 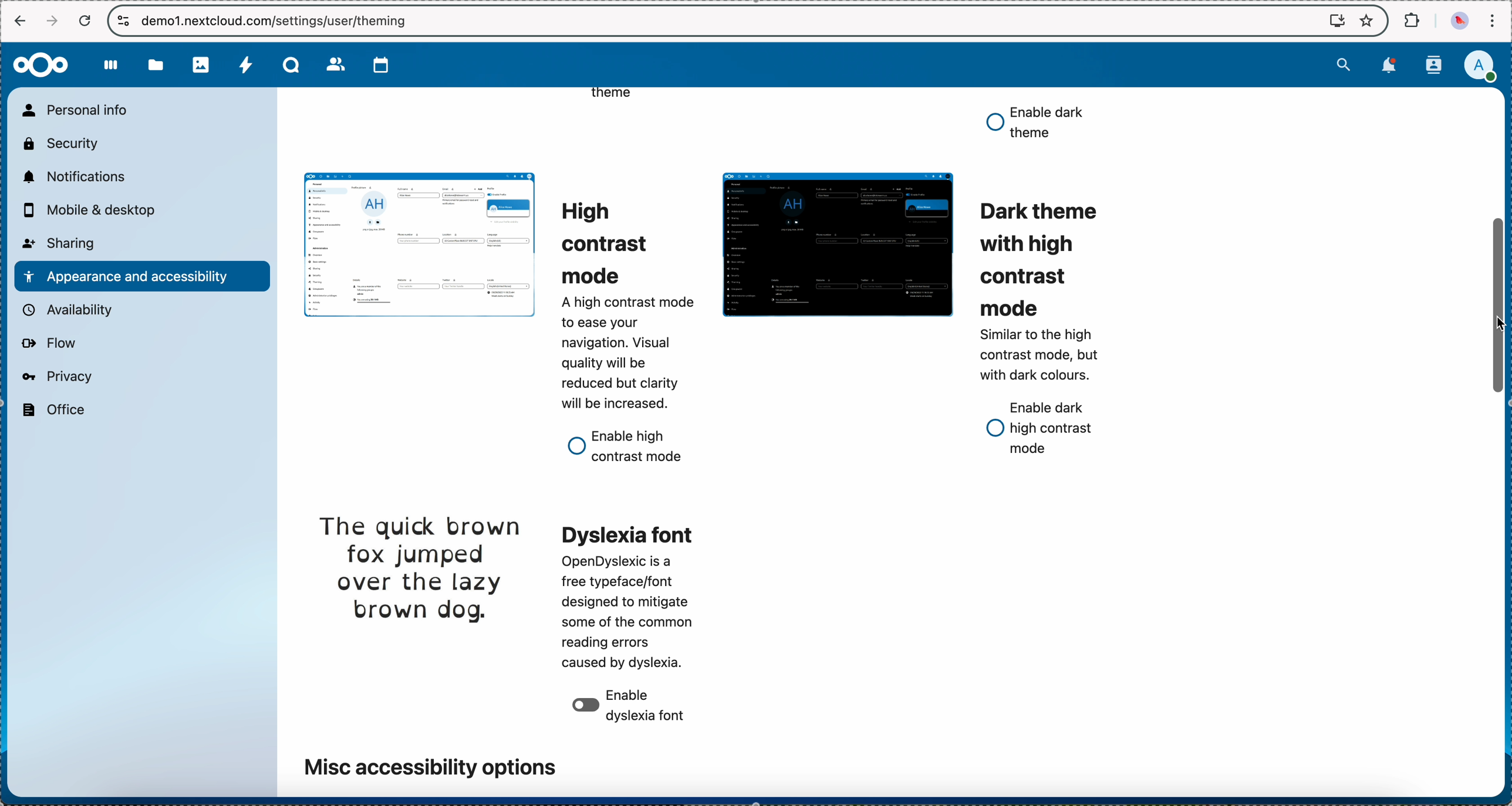 I want to click on navigate foward, so click(x=53, y=20).